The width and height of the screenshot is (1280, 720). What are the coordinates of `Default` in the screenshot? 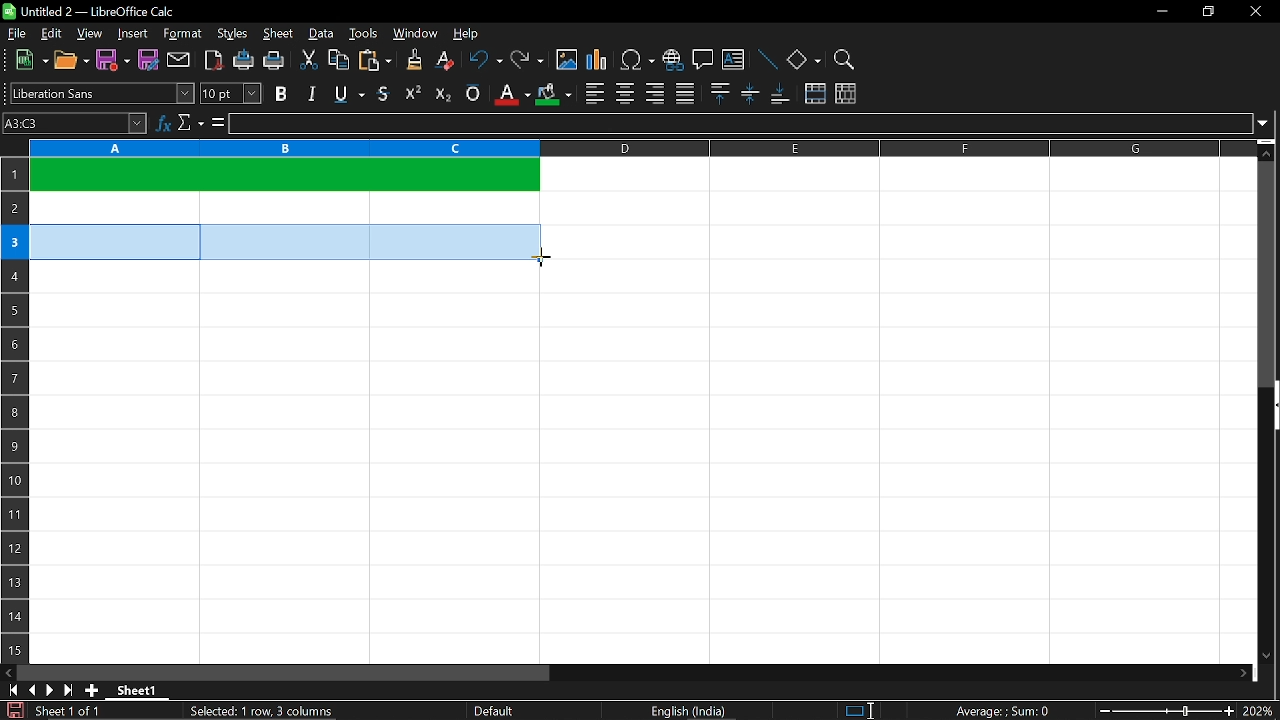 It's located at (497, 711).